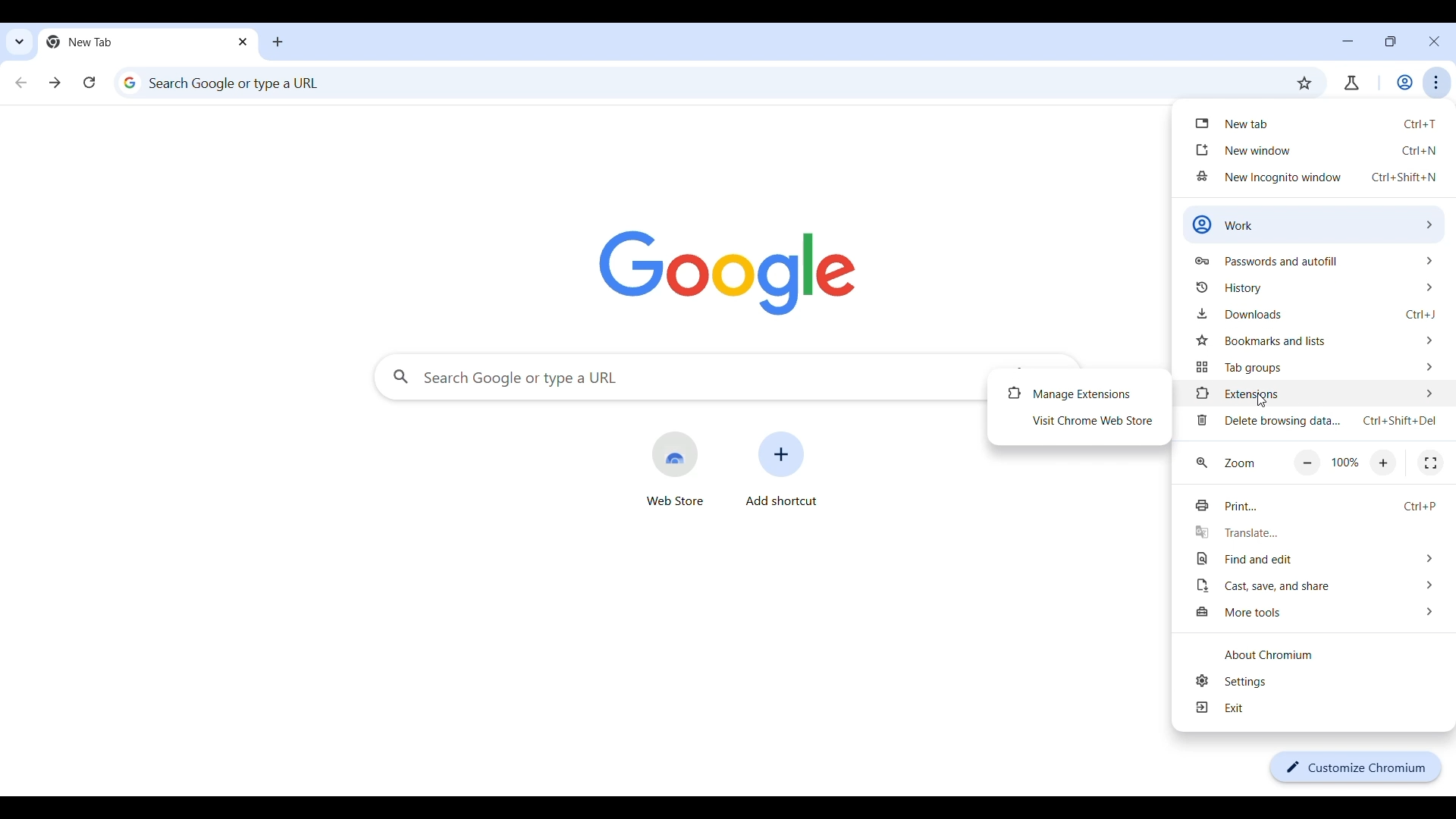 This screenshot has width=1456, height=819. What do you see at coordinates (1313, 261) in the screenshot?
I see `Passwords and autofill options` at bounding box center [1313, 261].